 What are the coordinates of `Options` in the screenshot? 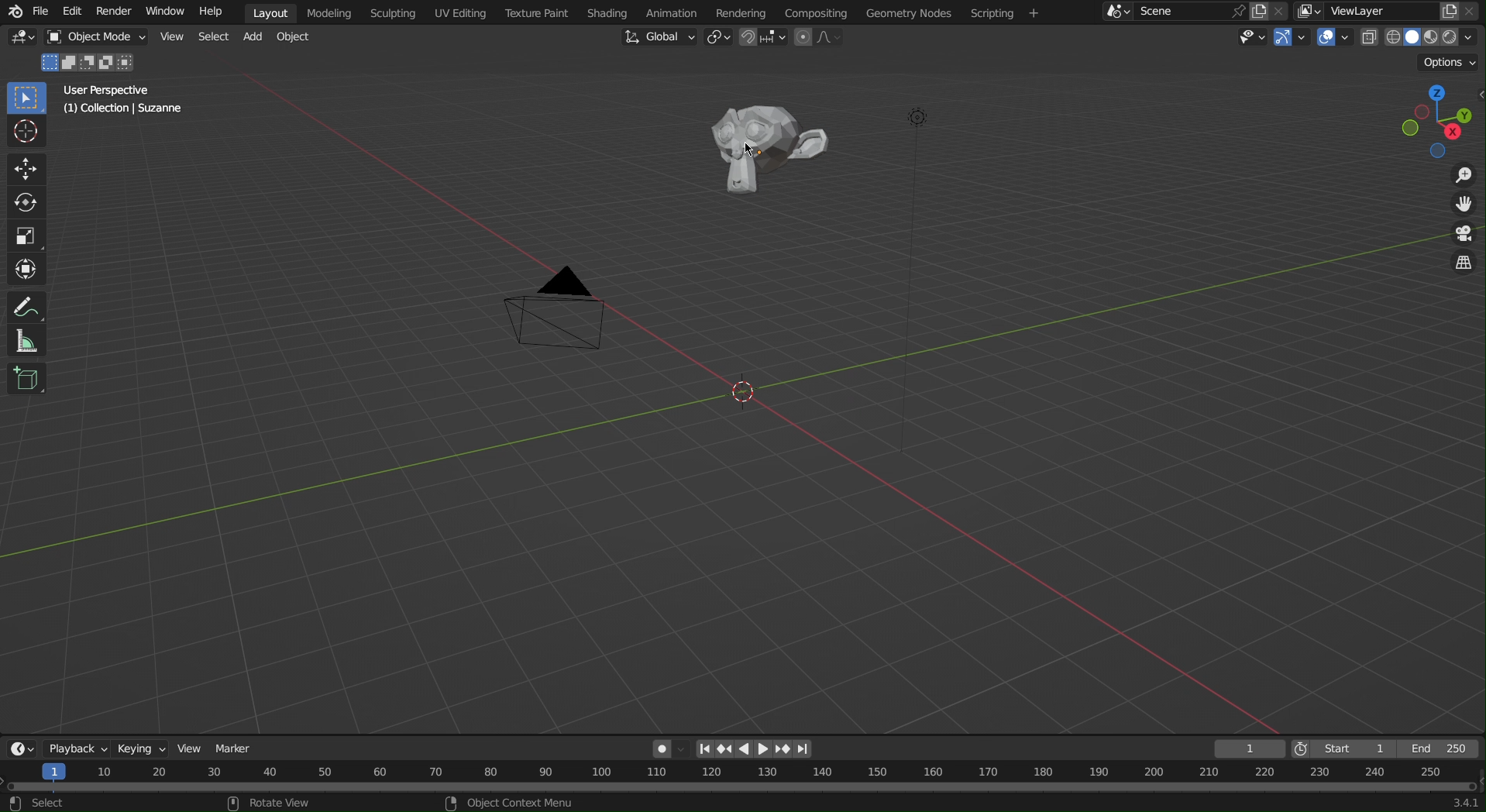 It's located at (1450, 61).